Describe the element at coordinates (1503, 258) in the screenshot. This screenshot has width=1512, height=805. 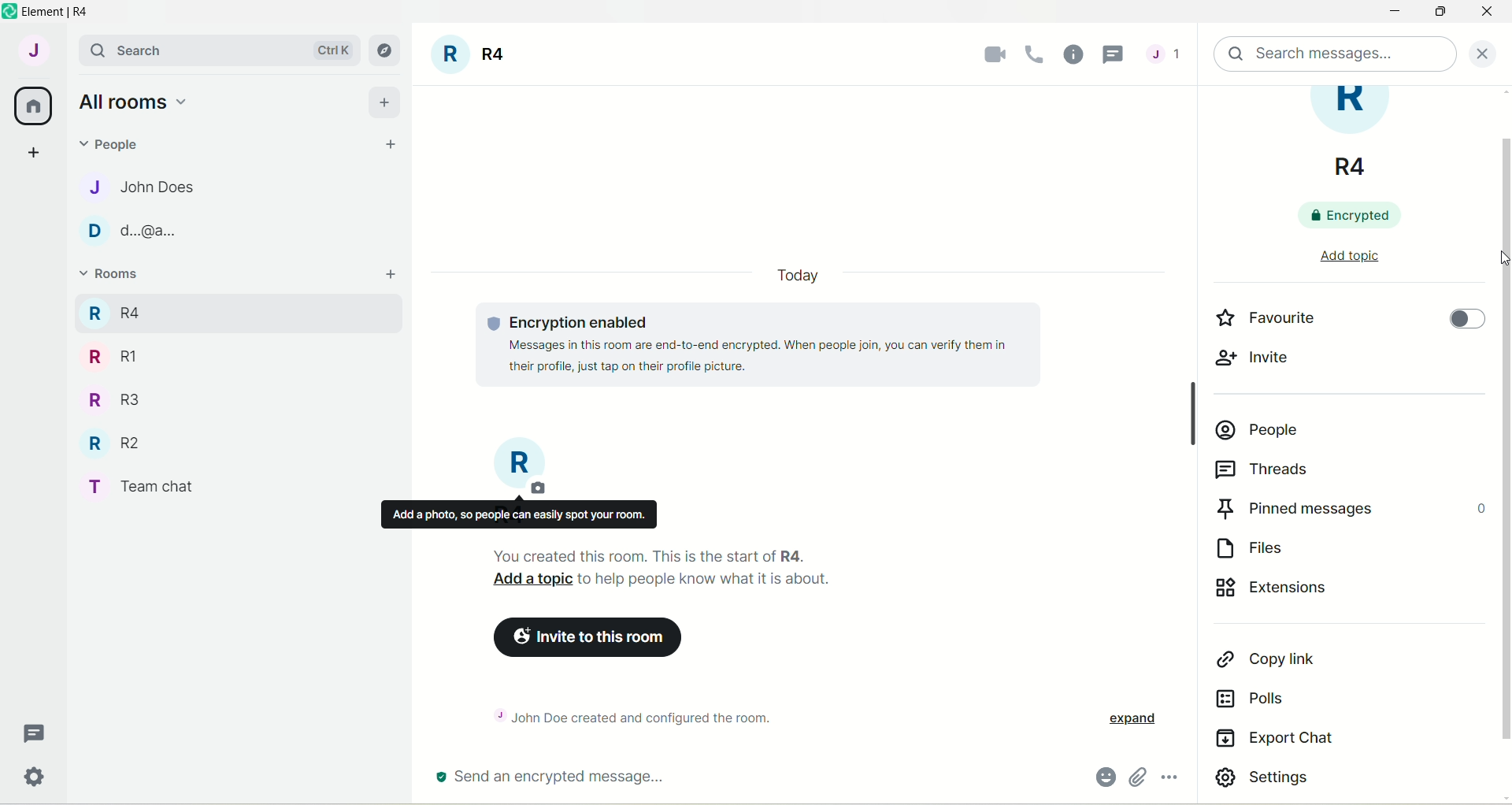
I see `cursor` at that location.